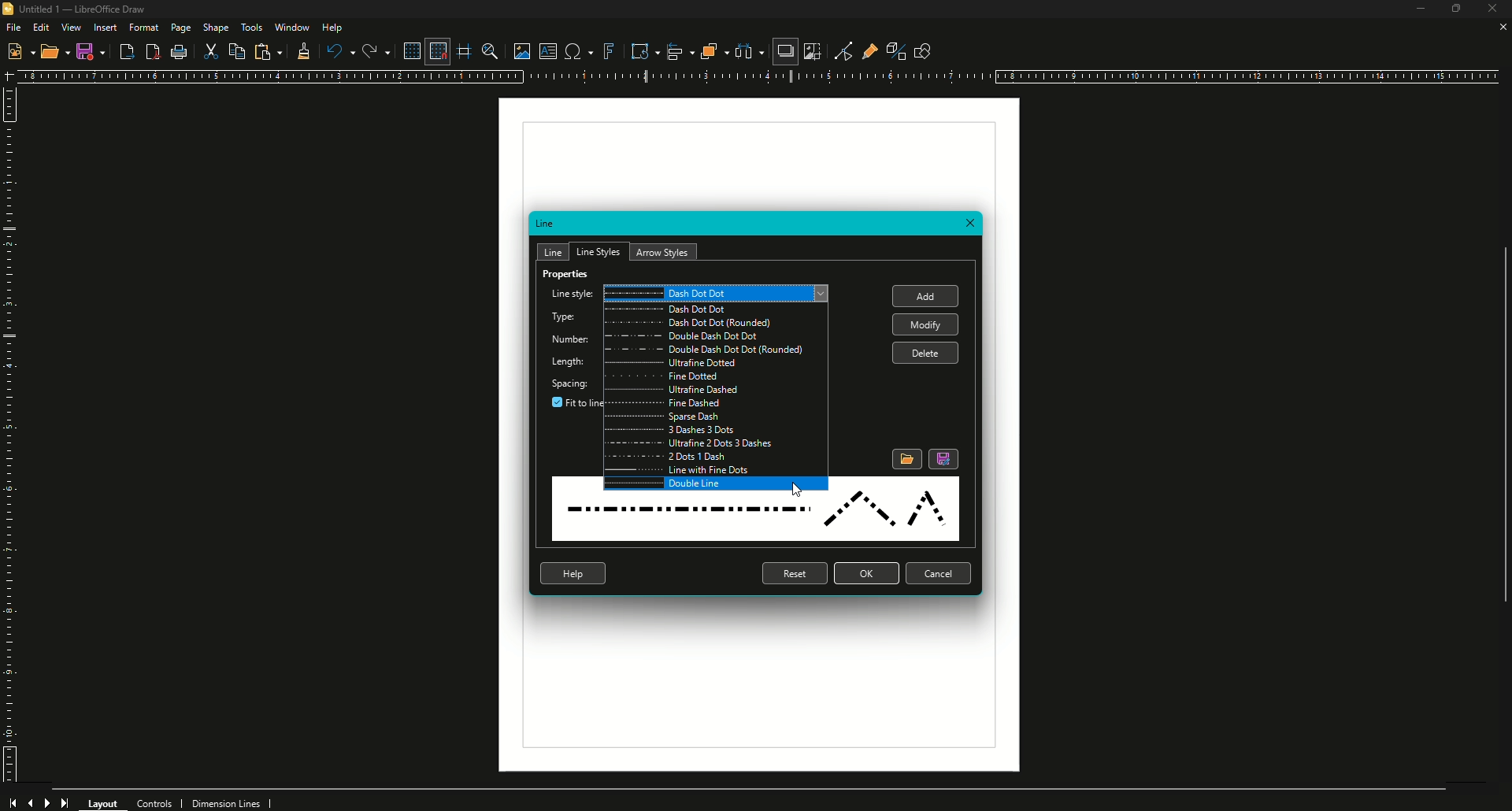  I want to click on Add, so click(929, 298).